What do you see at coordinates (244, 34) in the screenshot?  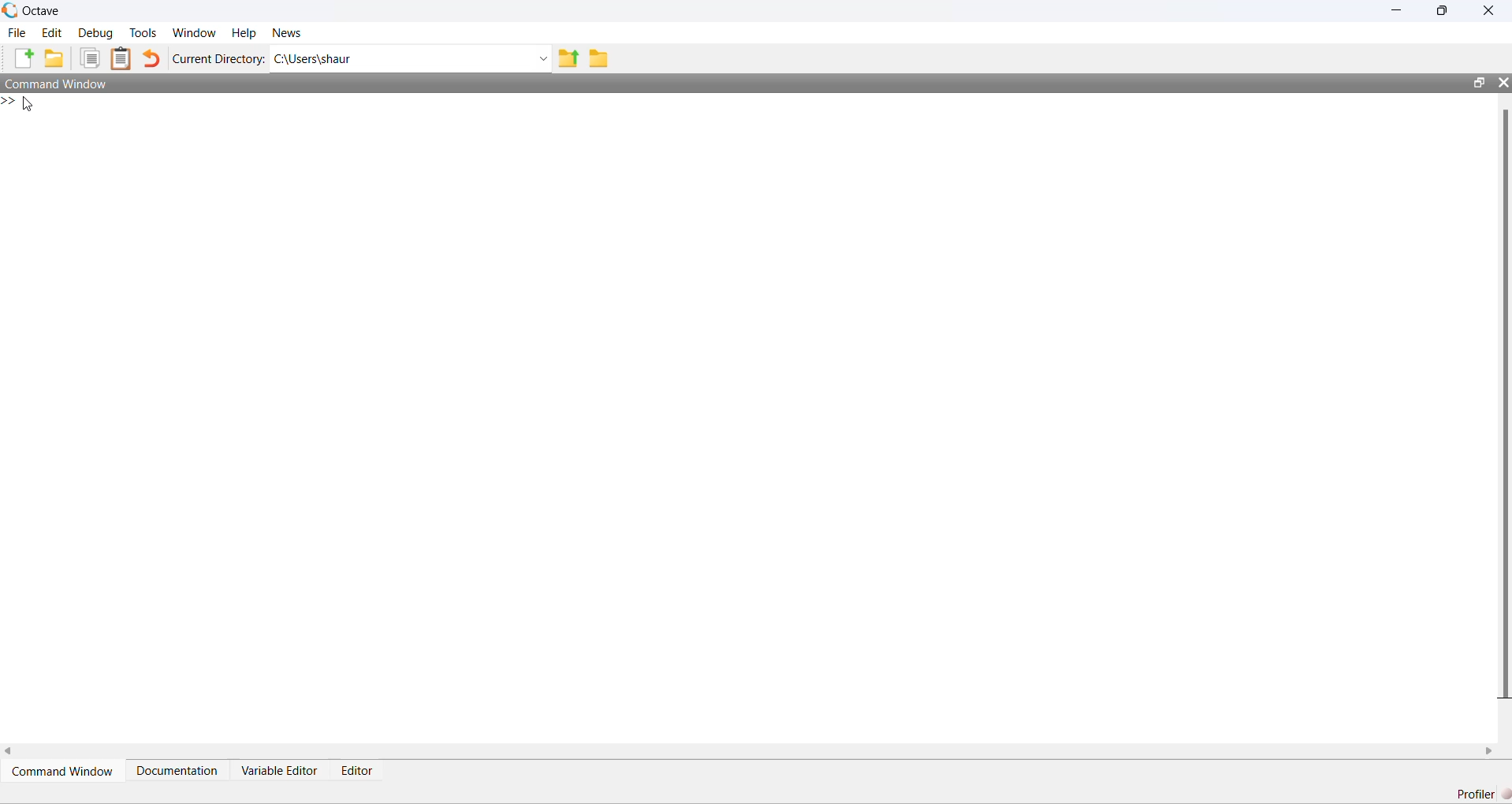 I see `Help` at bounding box center [244, 34].